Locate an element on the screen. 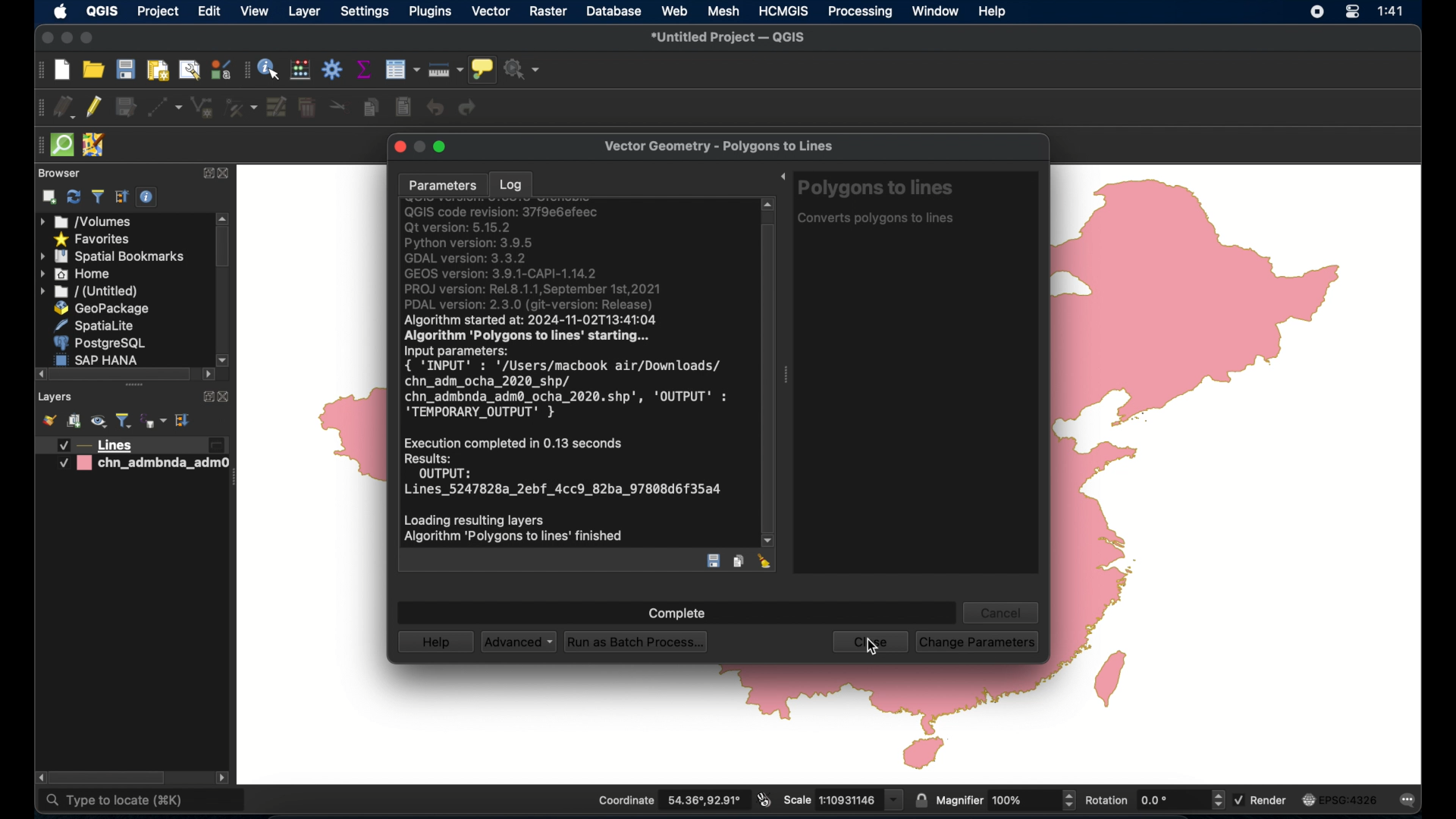  drag handle is located at coordinates (36, 144).